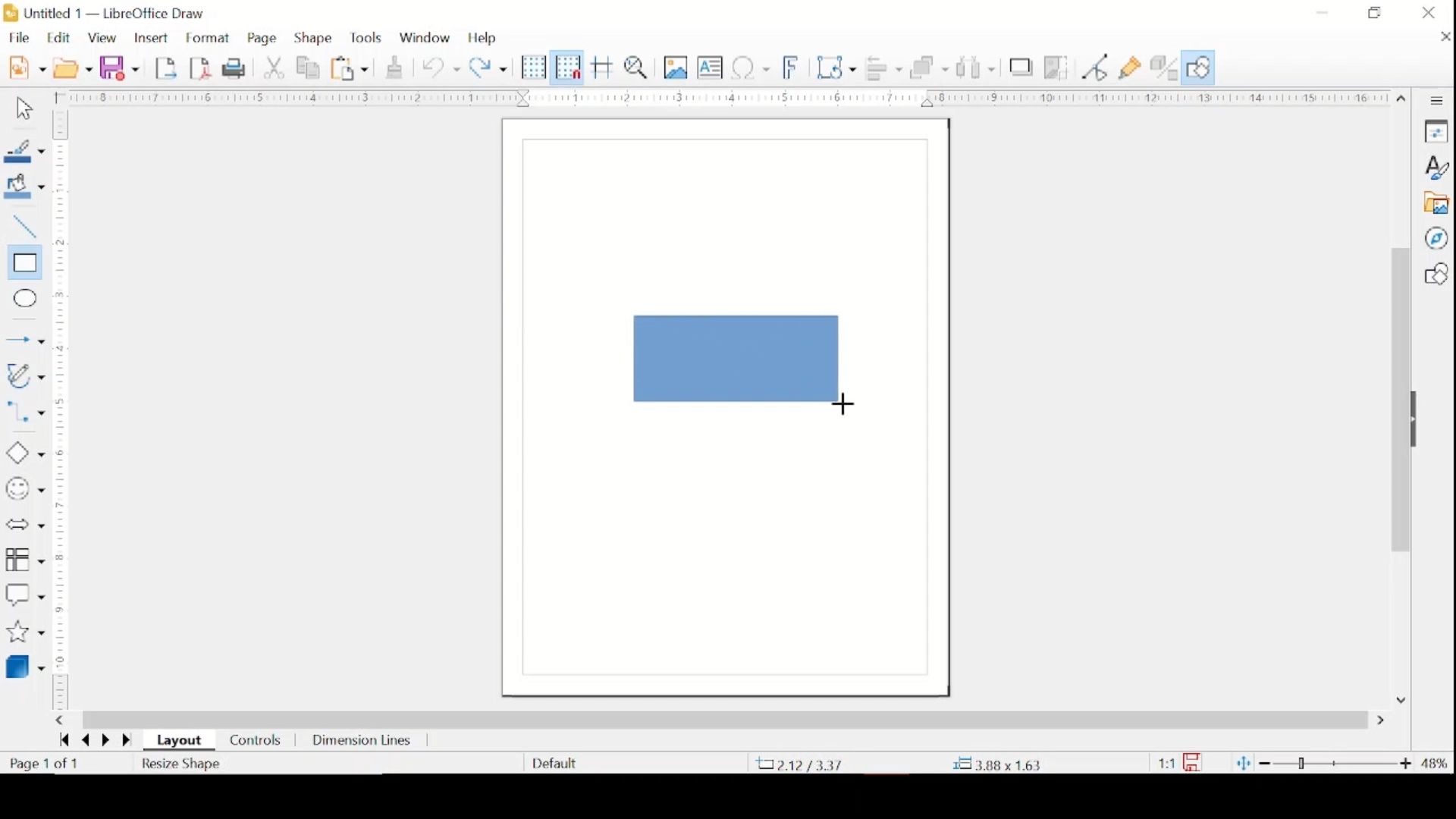 This screenshot has width=1456, height=819. Describe the element at coordinates (27, 66) in the screenshot. I see `new` at that location.